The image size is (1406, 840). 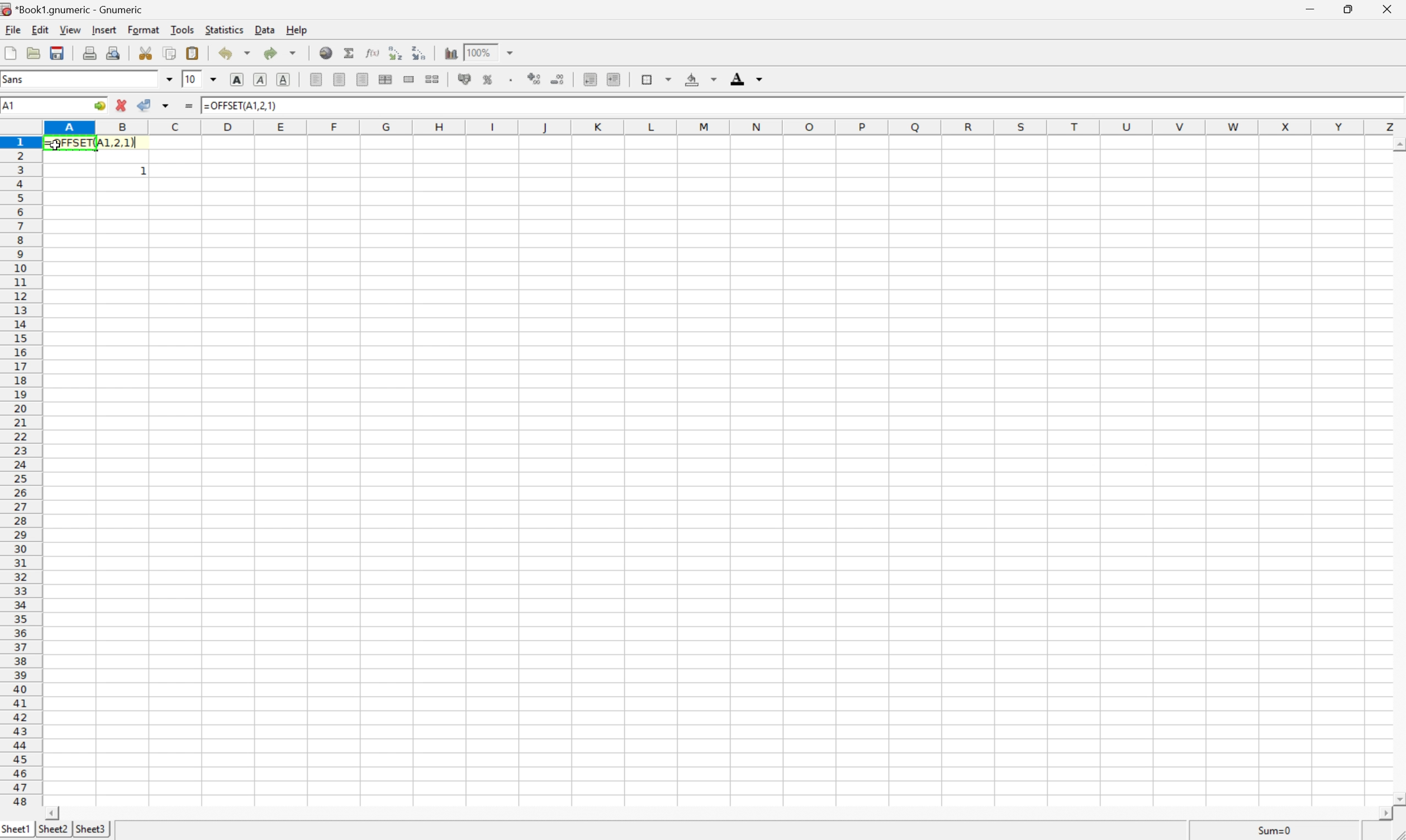 I want to click on scroll right, so click(x=1385, y=815).